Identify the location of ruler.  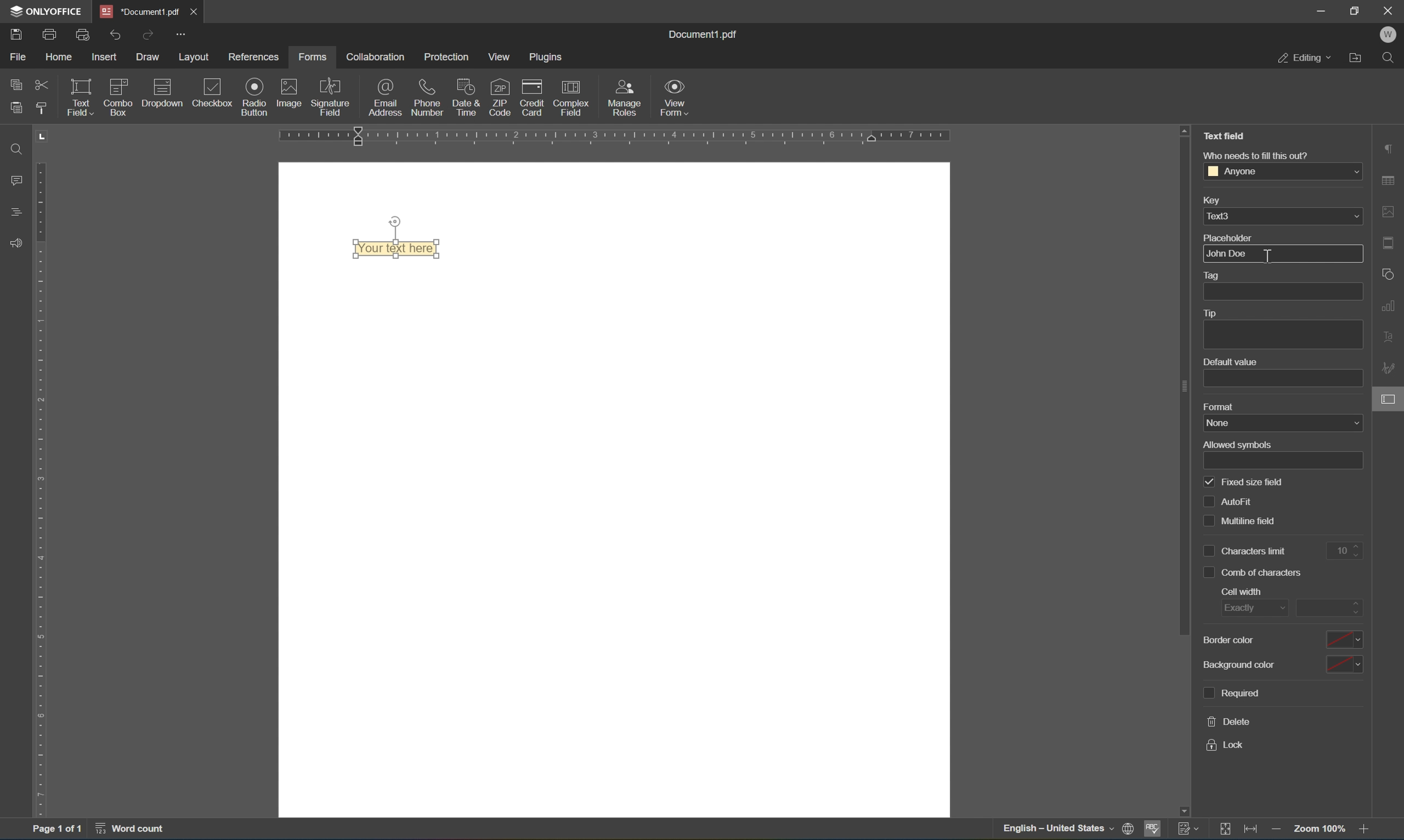
(41, 490).